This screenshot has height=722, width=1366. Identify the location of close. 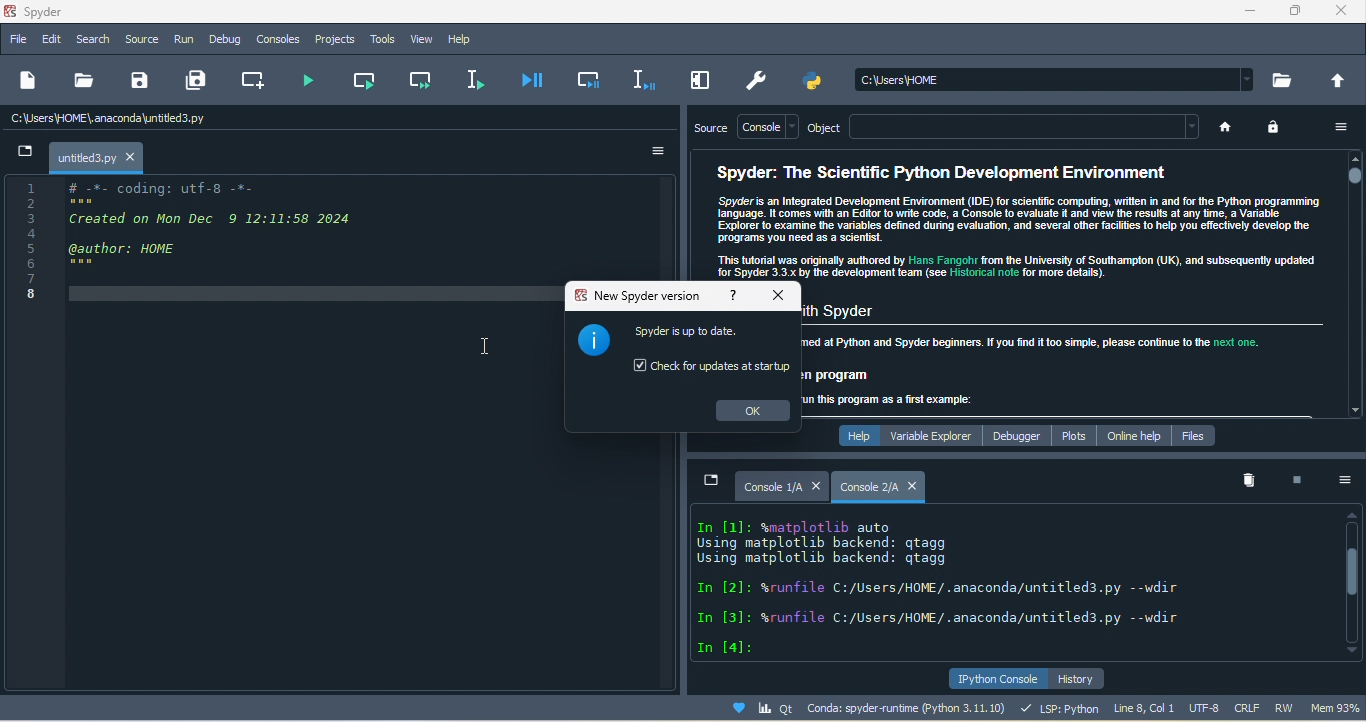
(132, 157).